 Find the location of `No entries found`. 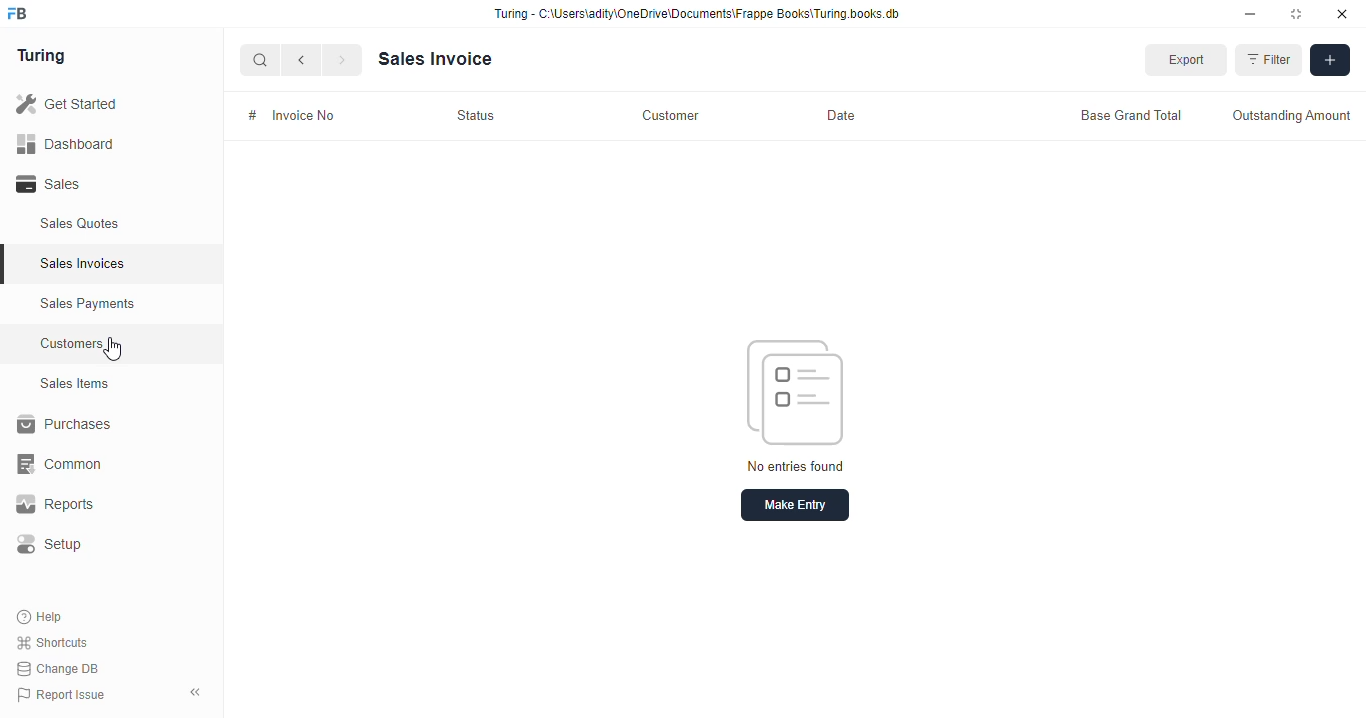

No entries found is located at coordinates (804, 399).